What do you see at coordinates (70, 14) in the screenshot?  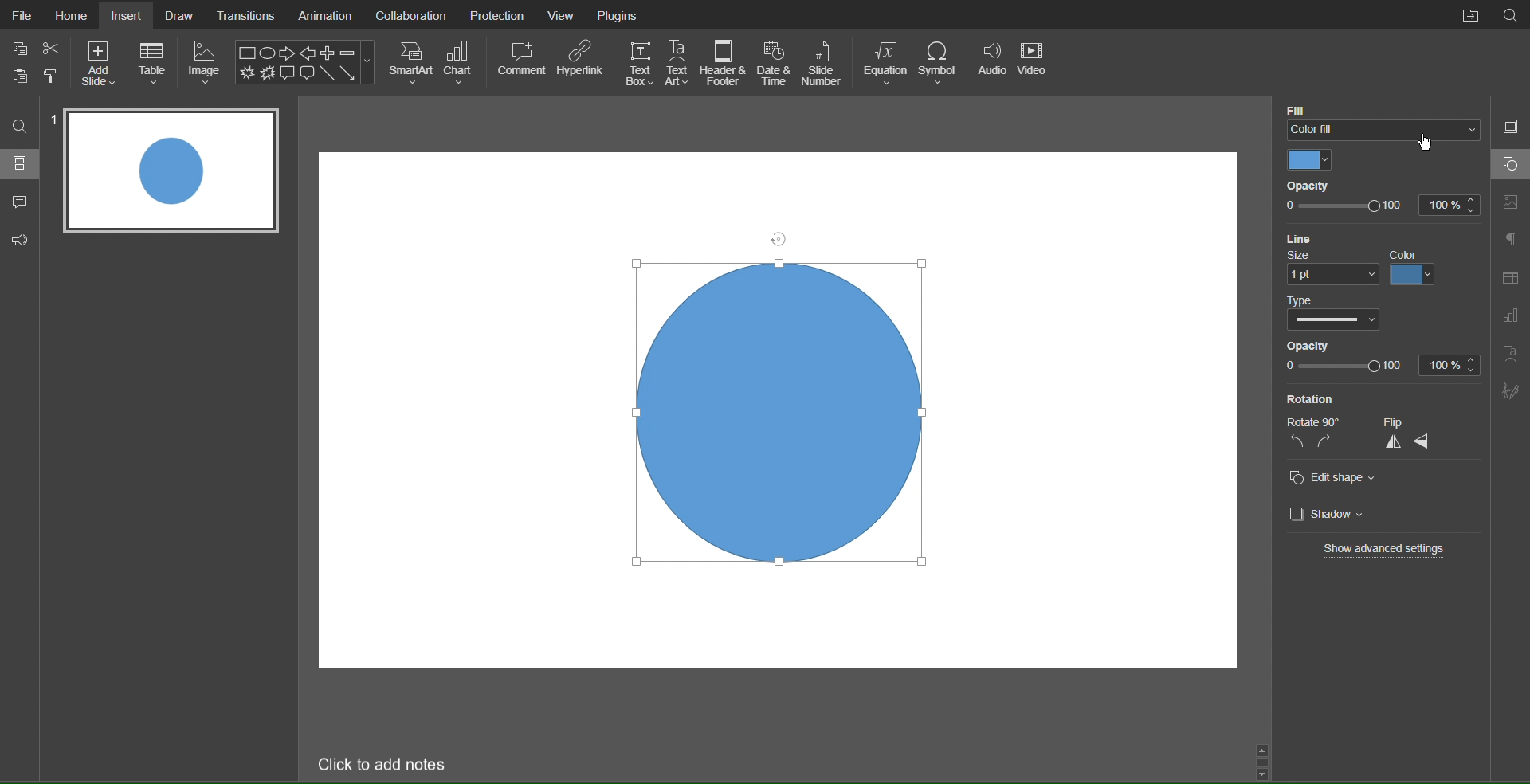 I see `Home` at bounding box center [70, 14].